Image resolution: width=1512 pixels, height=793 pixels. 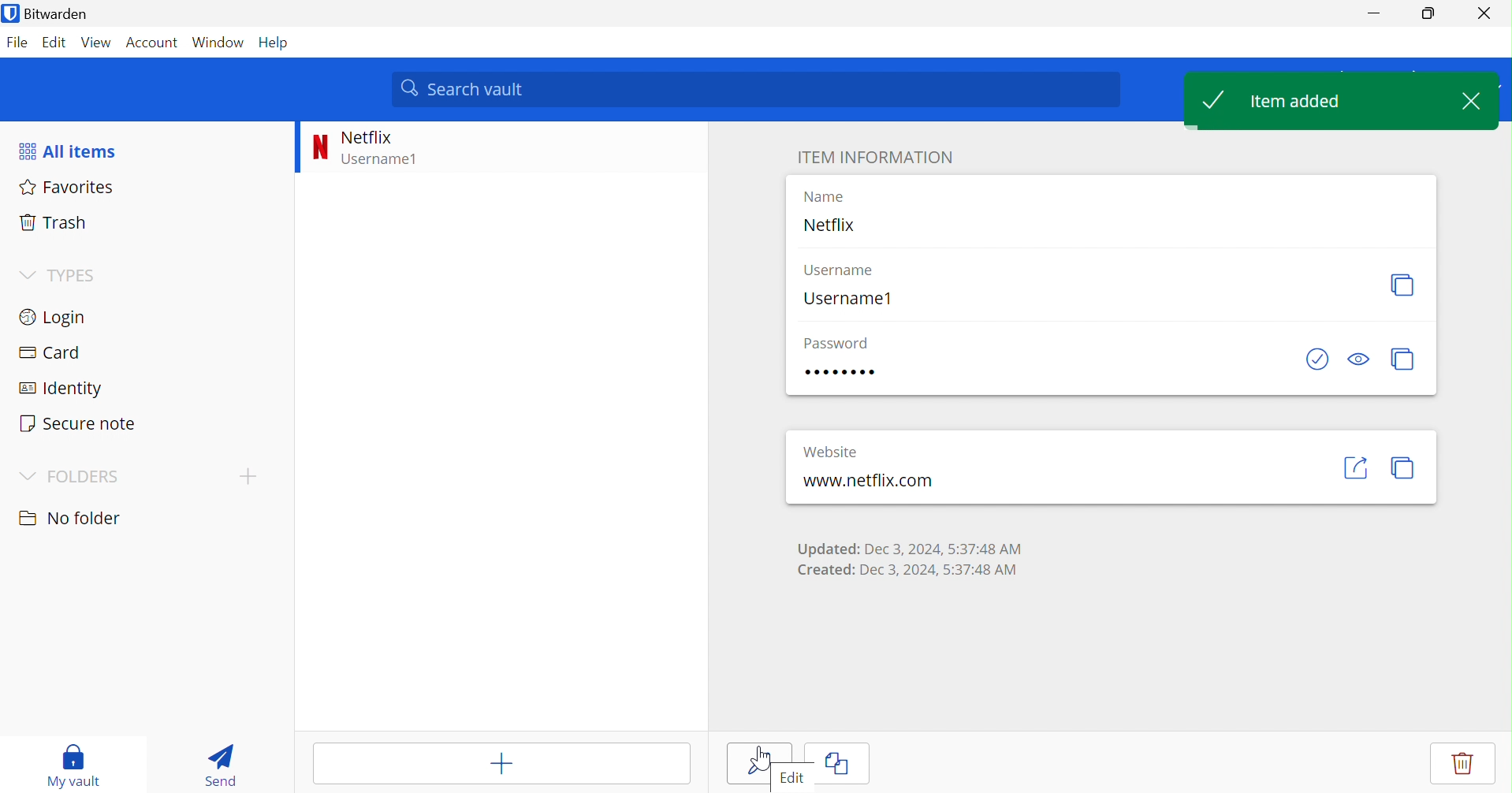 What do you see at coordinates (47, 350) in the screenshot?
I see `Card` at bounding box center [47, 350].